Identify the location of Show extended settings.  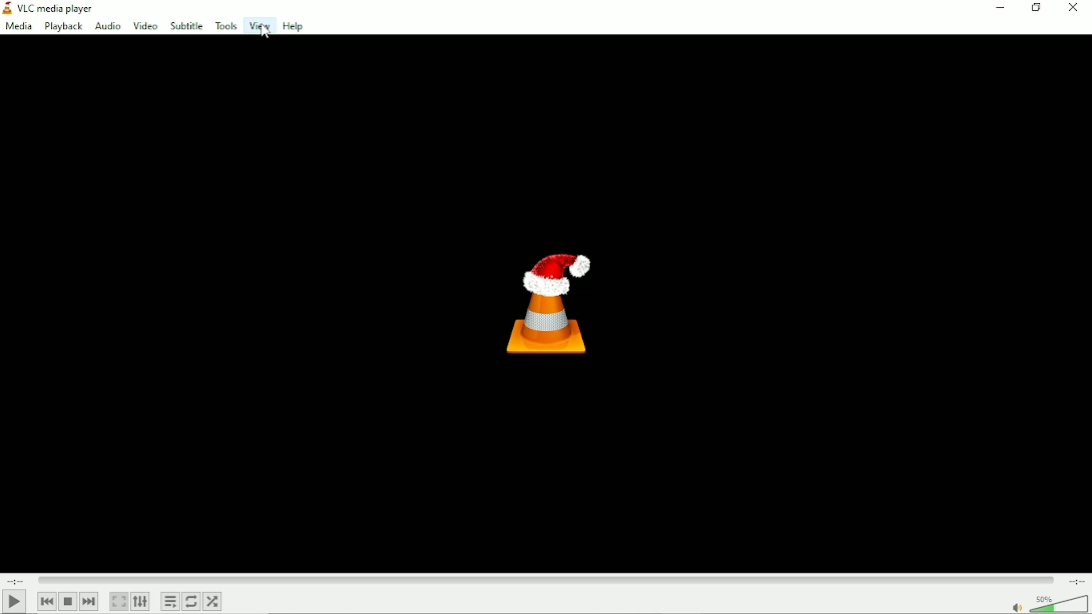
(141, 602).